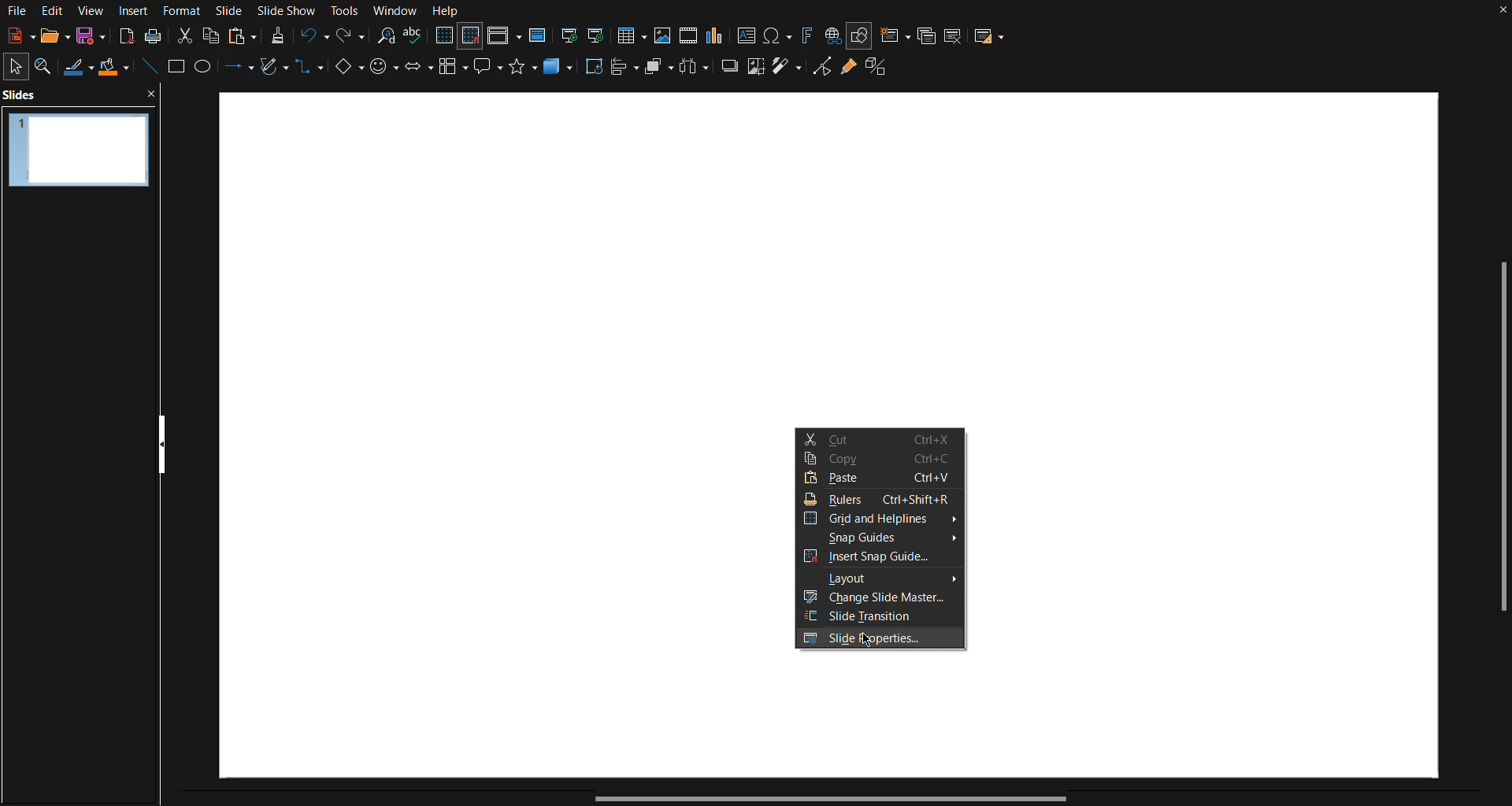 This screenshot has width=1512, height=806. I want to click on Line, so click(148, 69).